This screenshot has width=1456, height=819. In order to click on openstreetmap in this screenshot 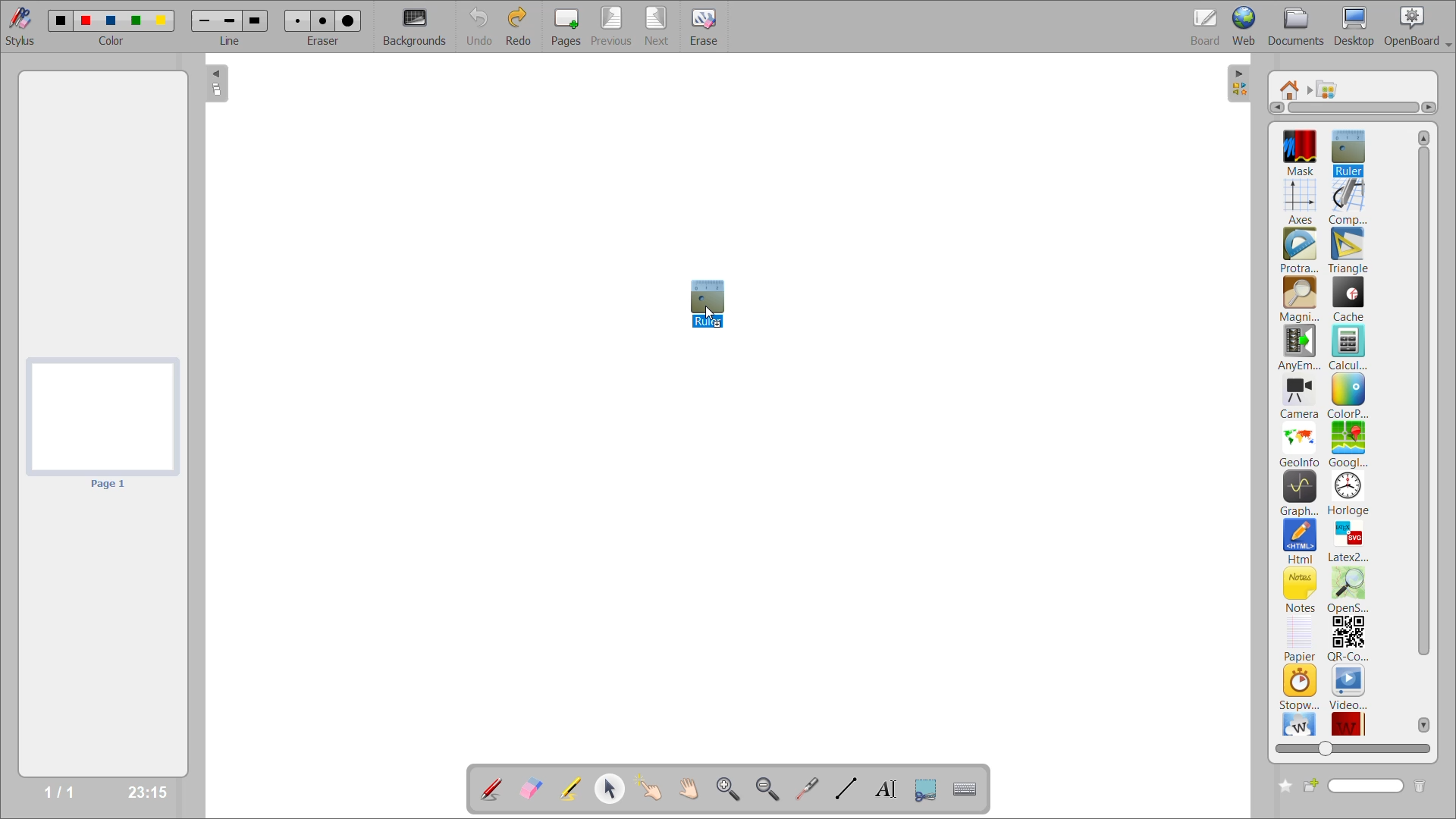, I will do `click(1351, 591)`.